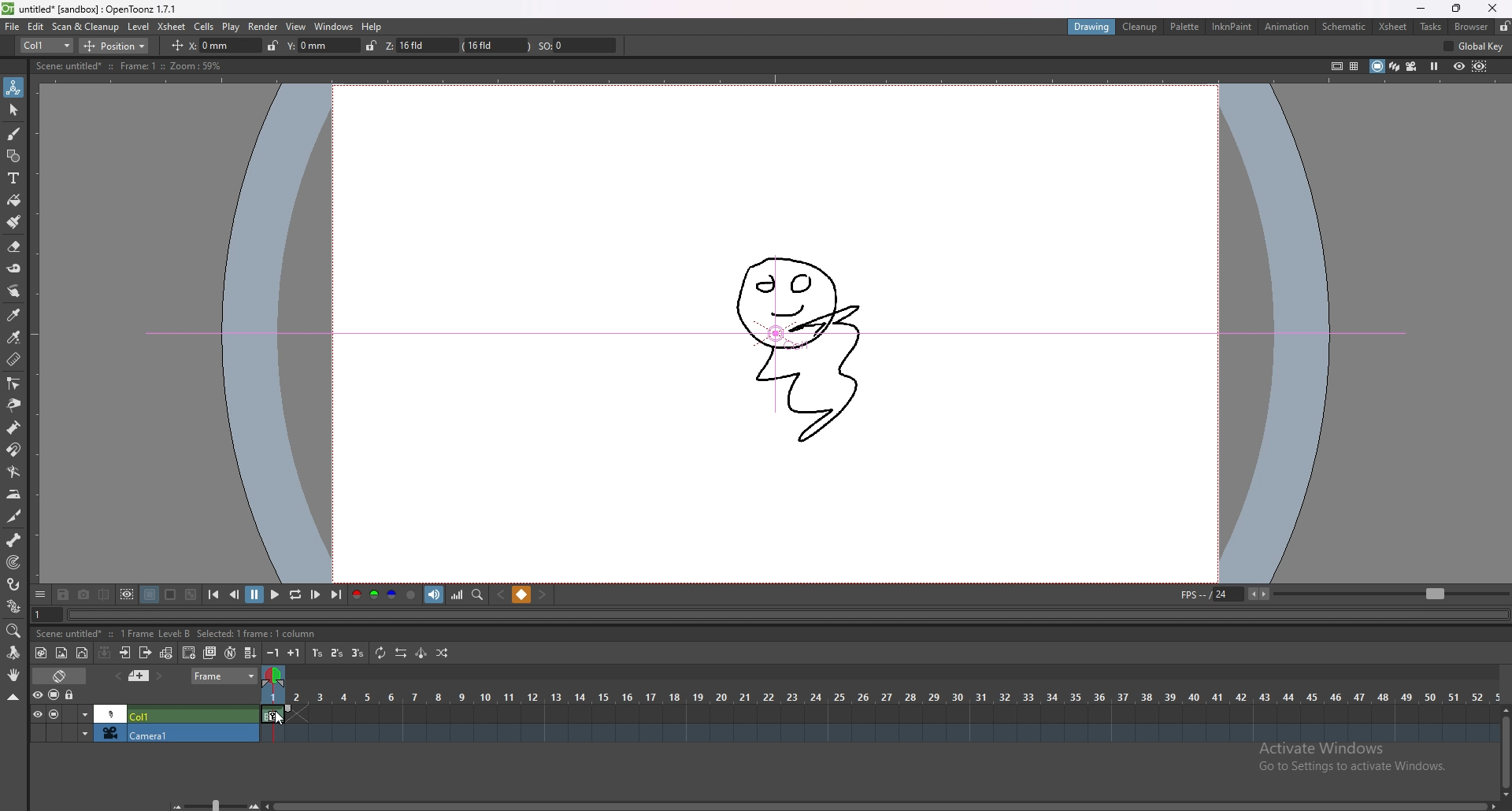  Describe the element at coordinates (84, 594) in the screenshot. I see `snapshot` at that location.